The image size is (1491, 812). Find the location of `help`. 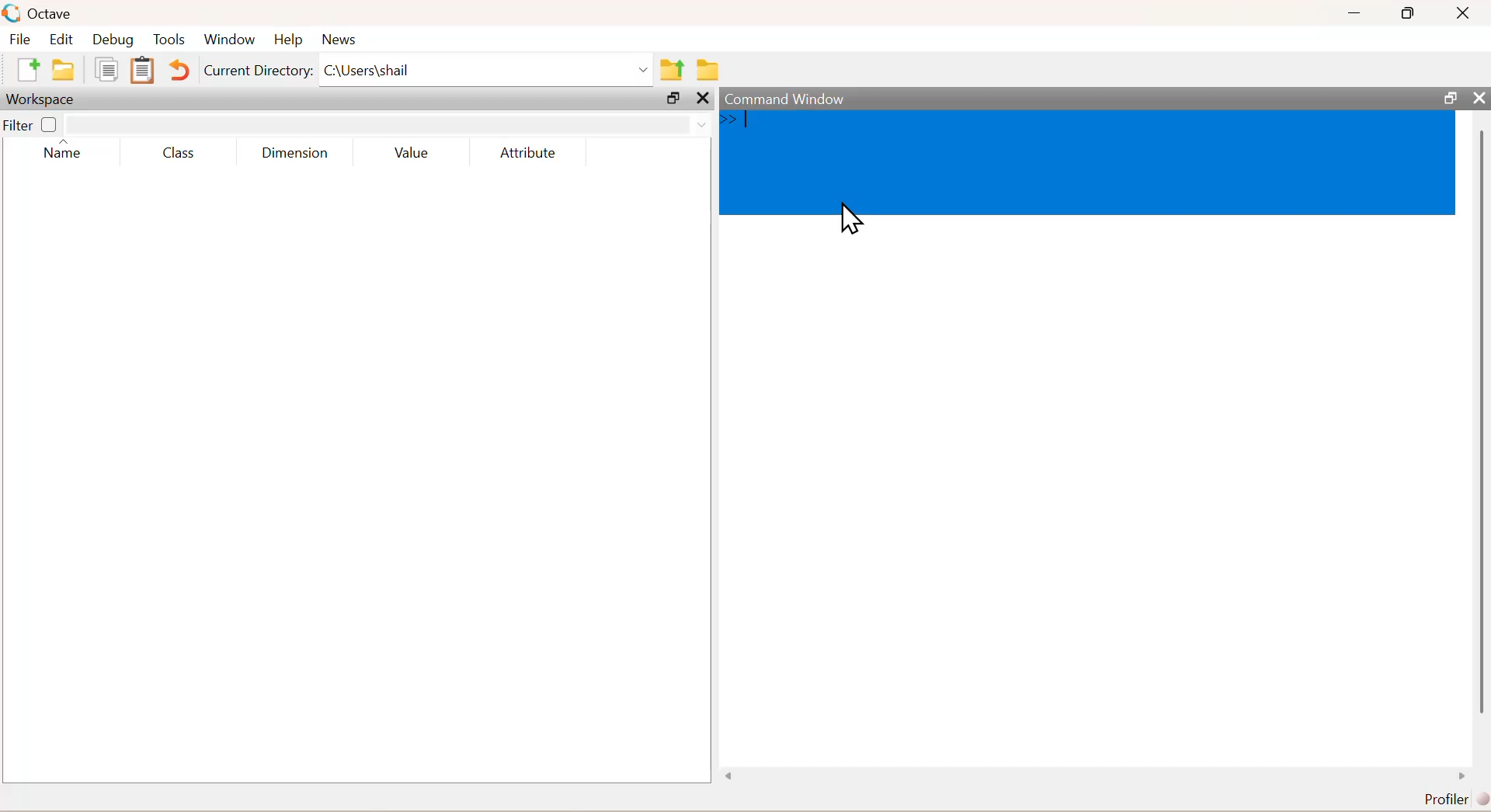

help is located at coordinates (289, 40).